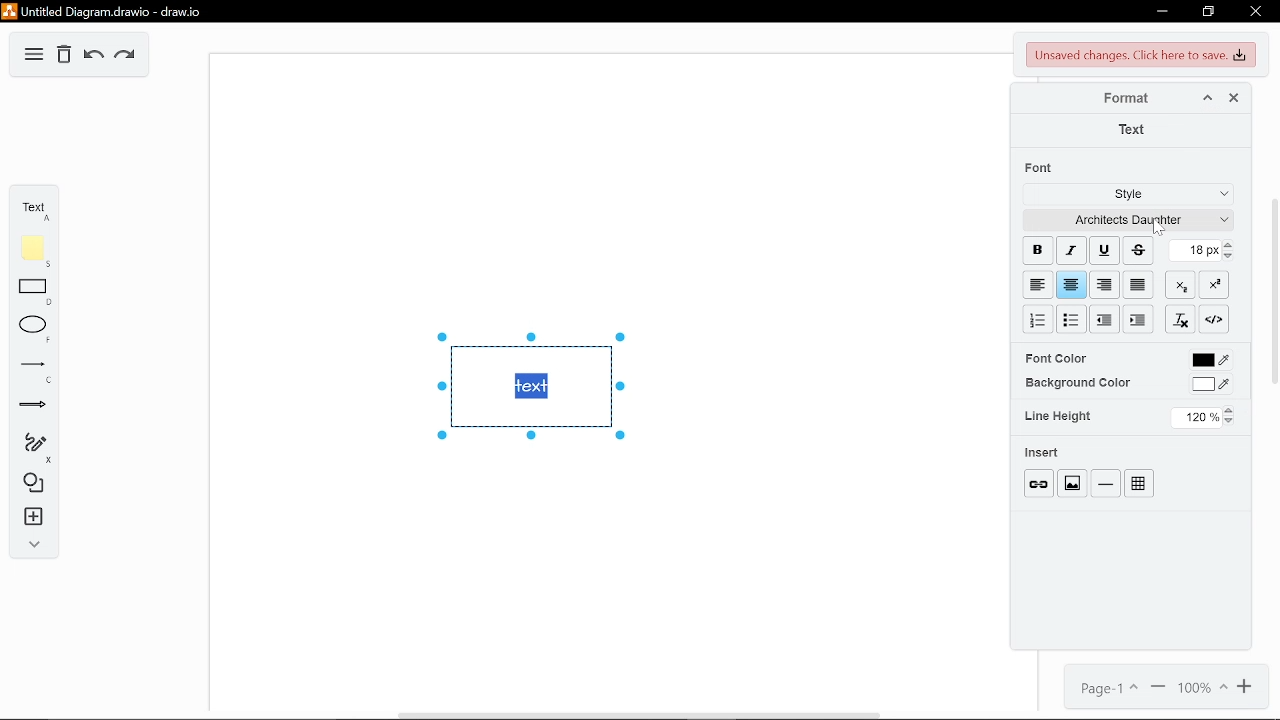  Describe the element at coordinates (1133, 130) in the screenshot. I see `text` at that location.